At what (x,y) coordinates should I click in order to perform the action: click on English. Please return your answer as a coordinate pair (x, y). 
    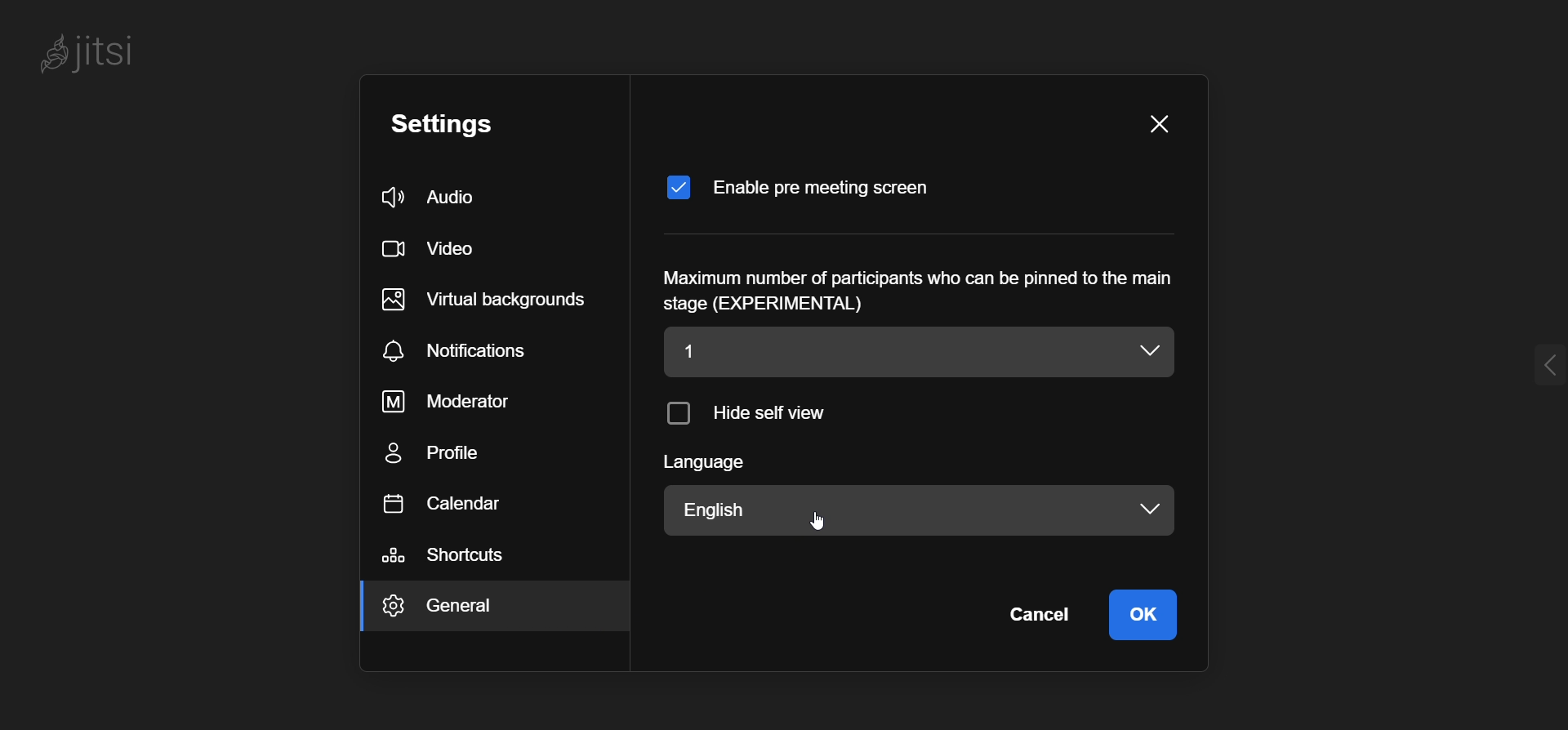
    Looking at the image, I should click on (709, 509).